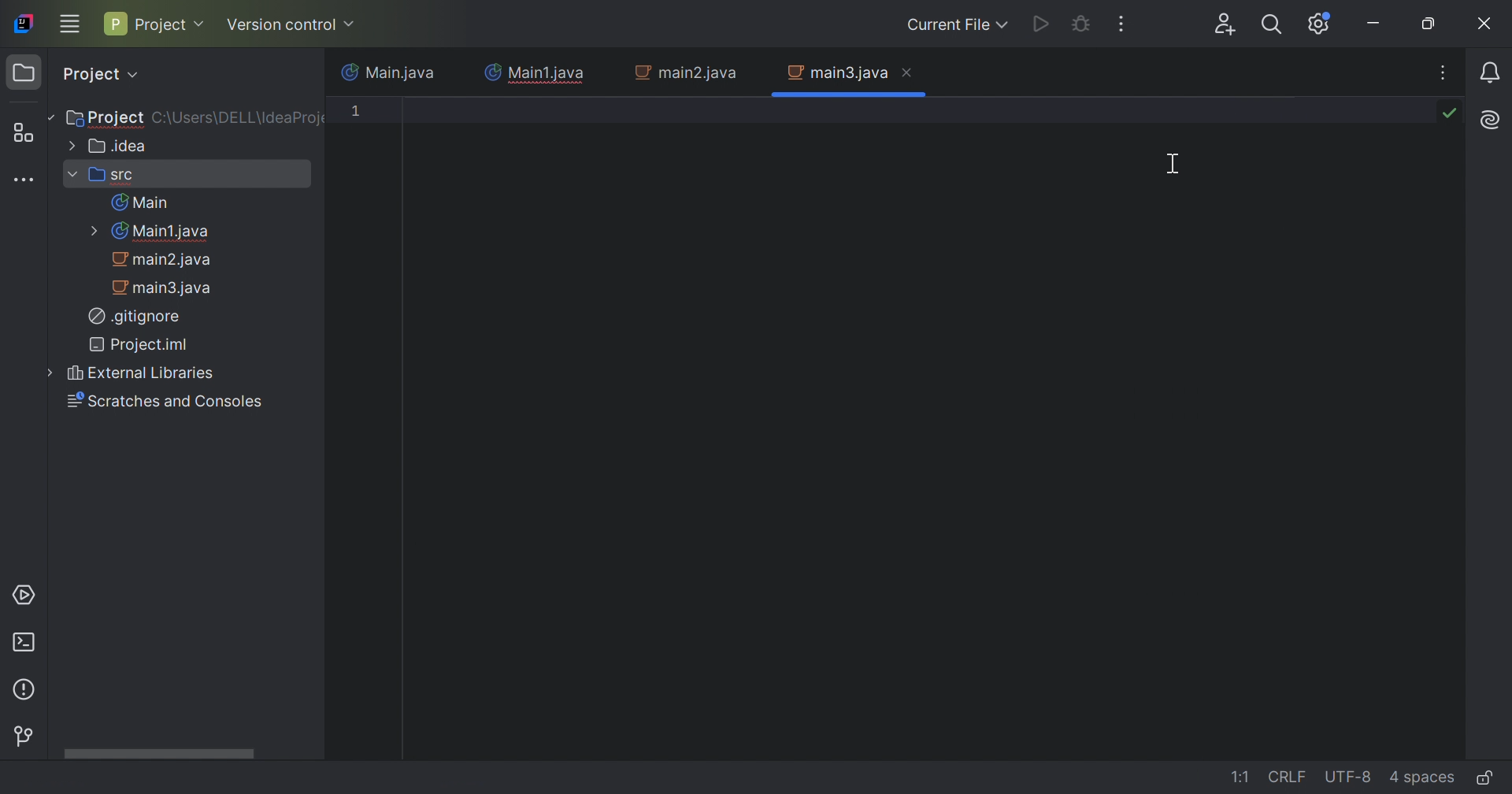 Image resolution: width=1512 pixels, height=794 pixels. Describe the element at coordinates (139, 202) in the screenshot. I see `Main` at that location.